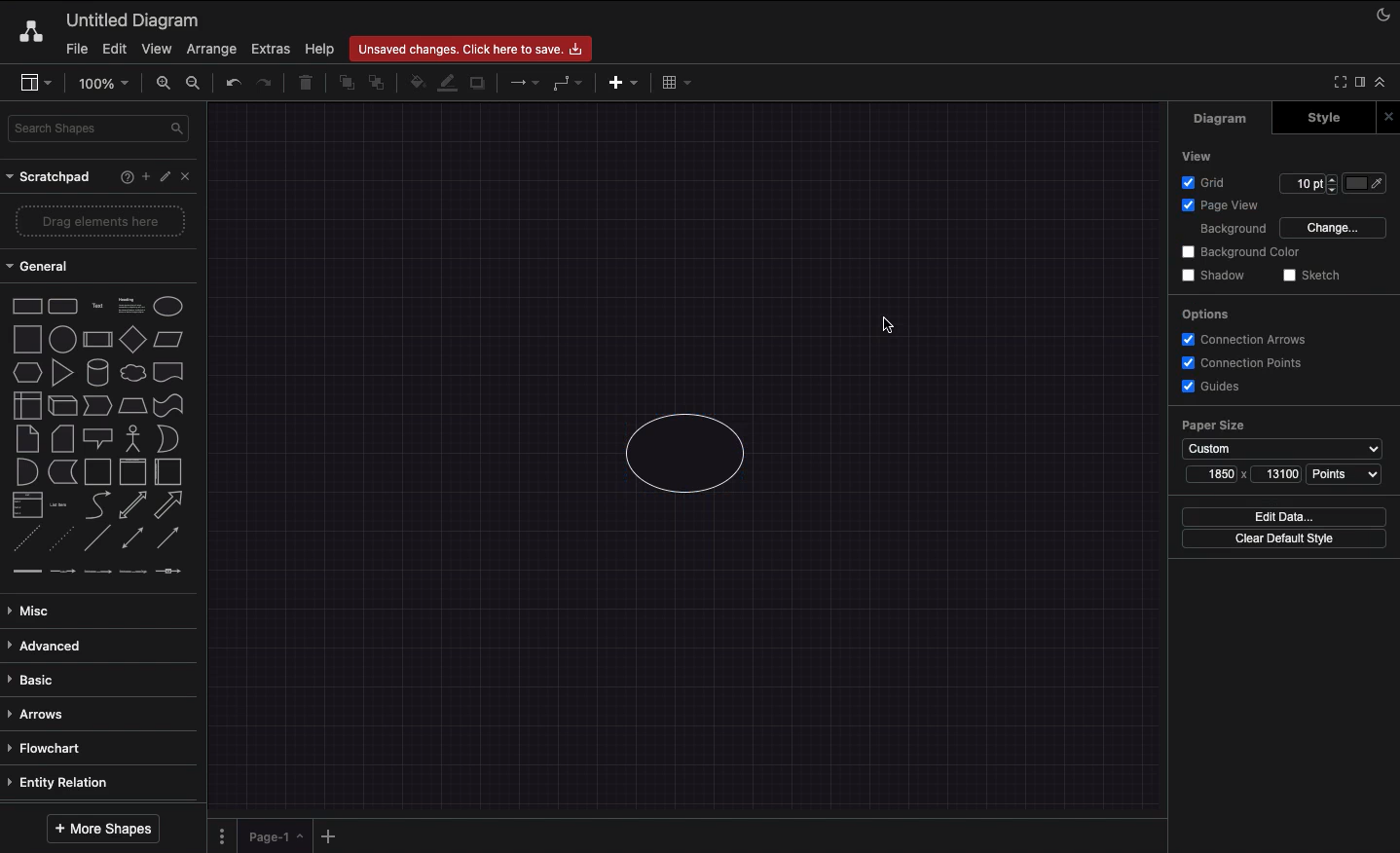 This screenshot has height=853, width=1400. I want to click on Misc, so click(34, 611).